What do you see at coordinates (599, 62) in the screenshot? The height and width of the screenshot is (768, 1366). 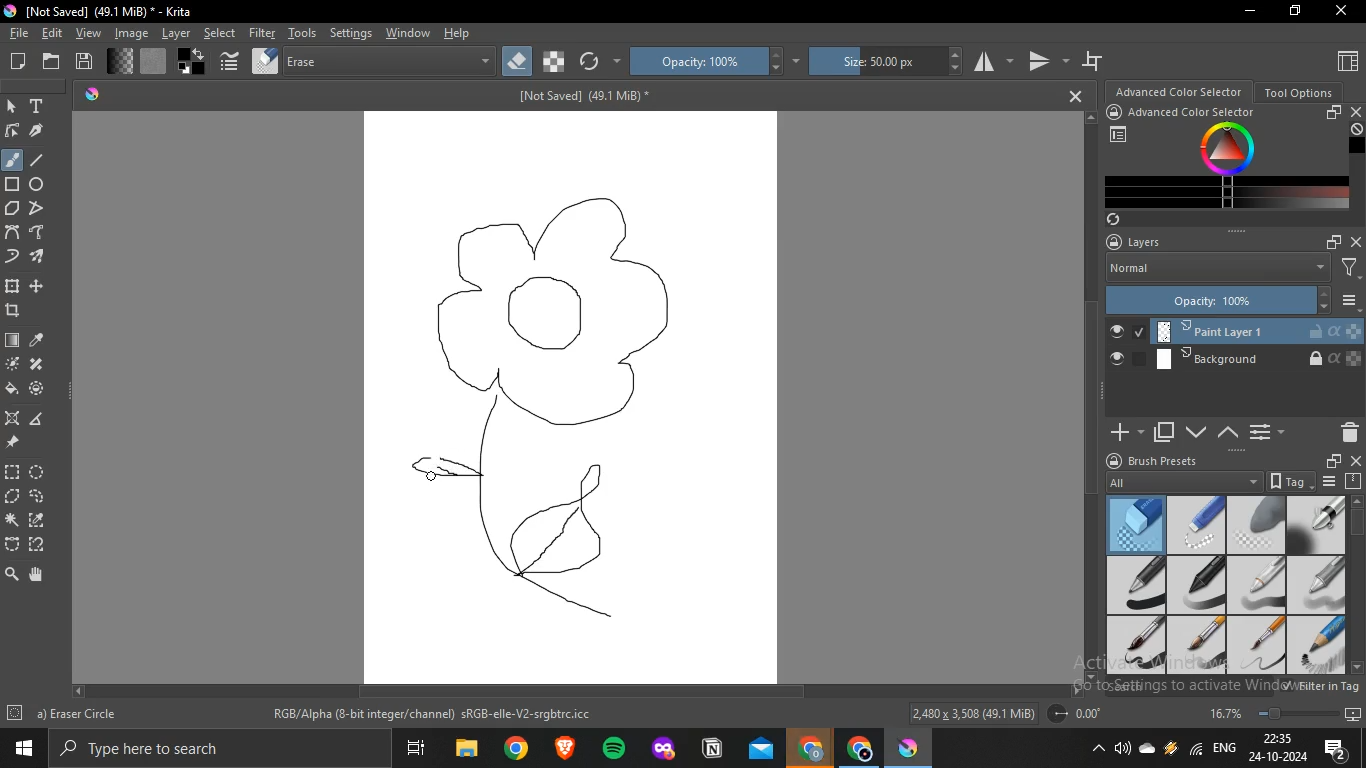 I see `reload original preset` at bounding box center [599, 62].